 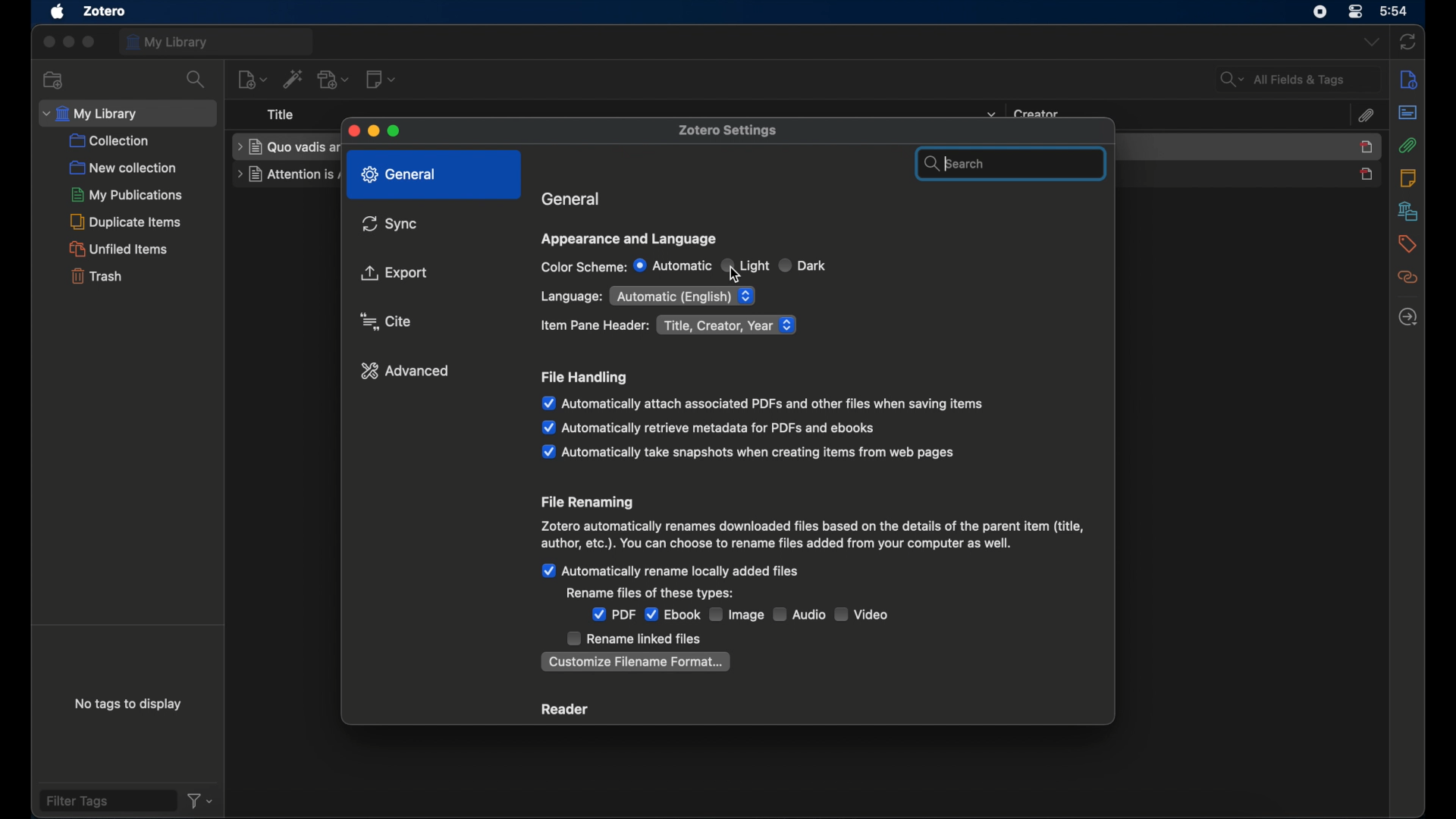 I want to click on apple icon, so click(x=57, y=12).